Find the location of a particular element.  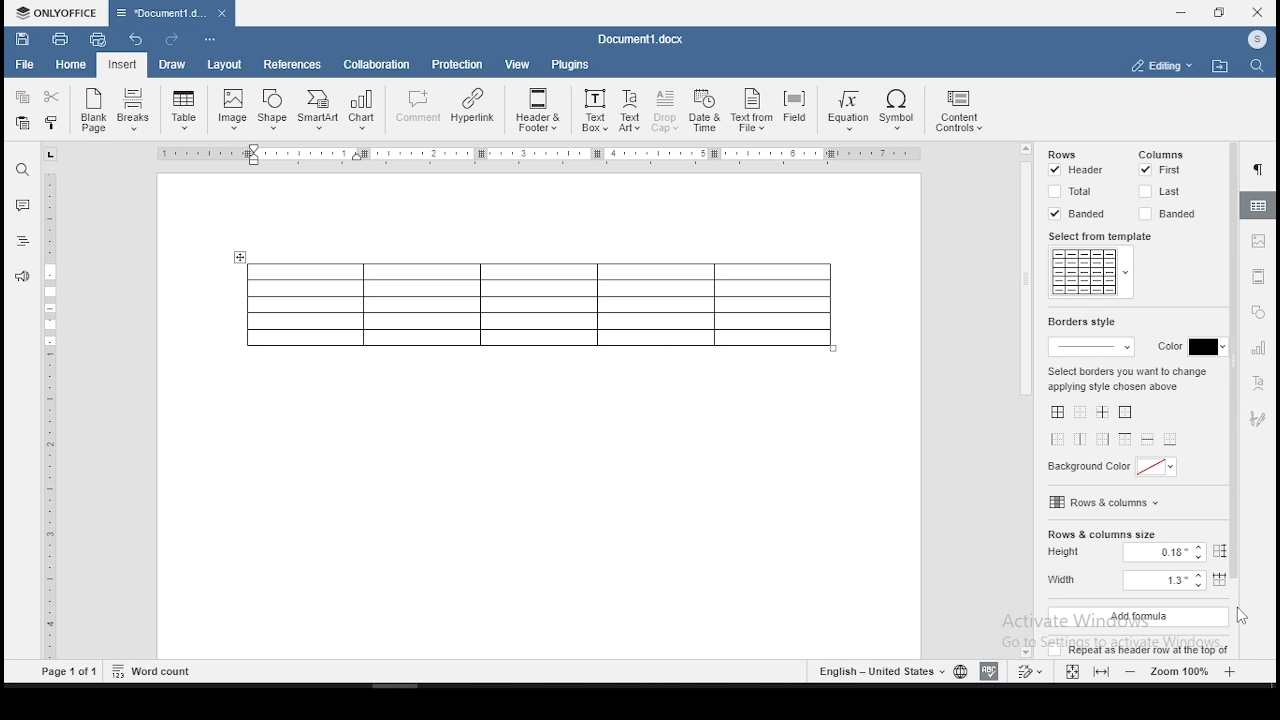

Equation is located at coordinates (845, 112).